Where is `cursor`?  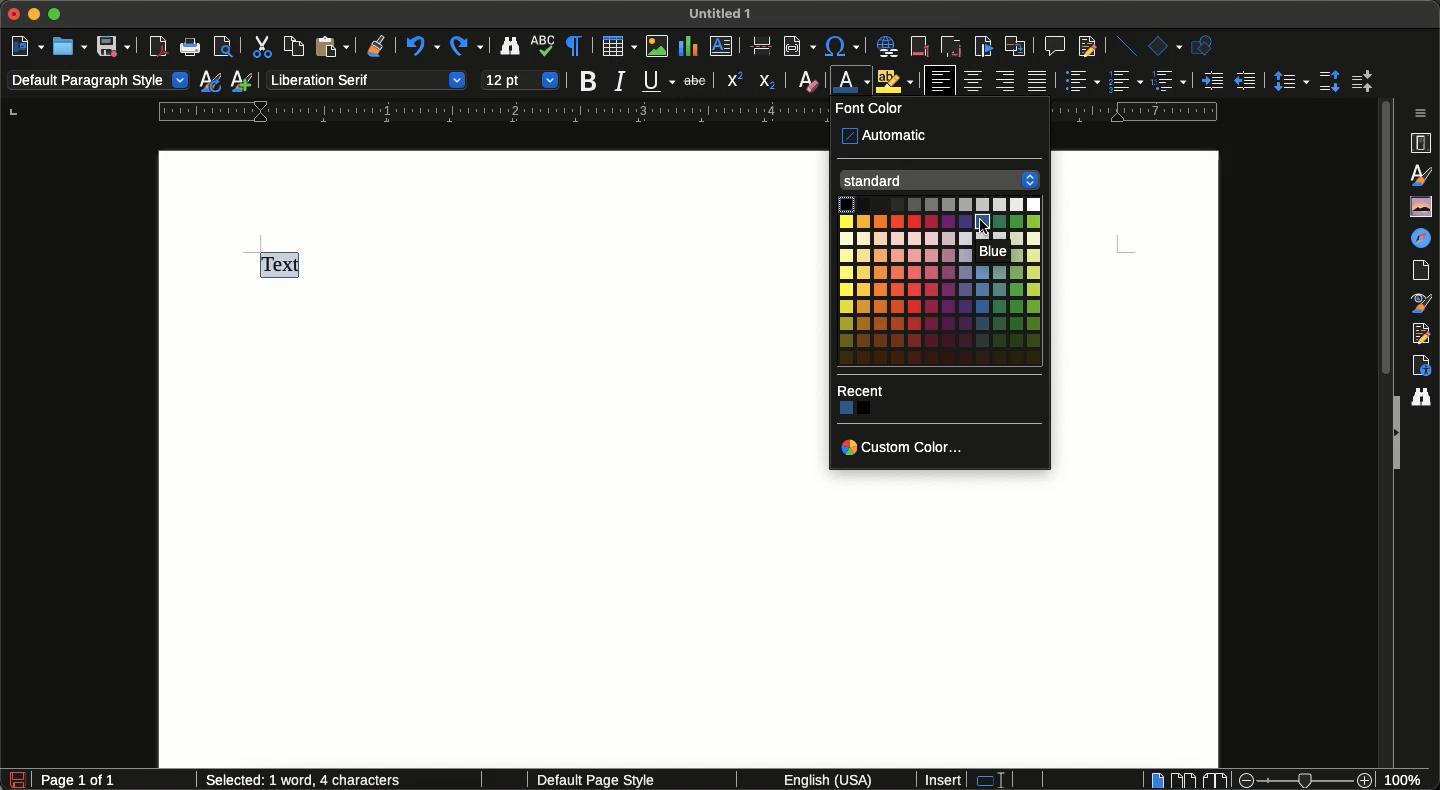
cursor is located at coordinates (978, 225).